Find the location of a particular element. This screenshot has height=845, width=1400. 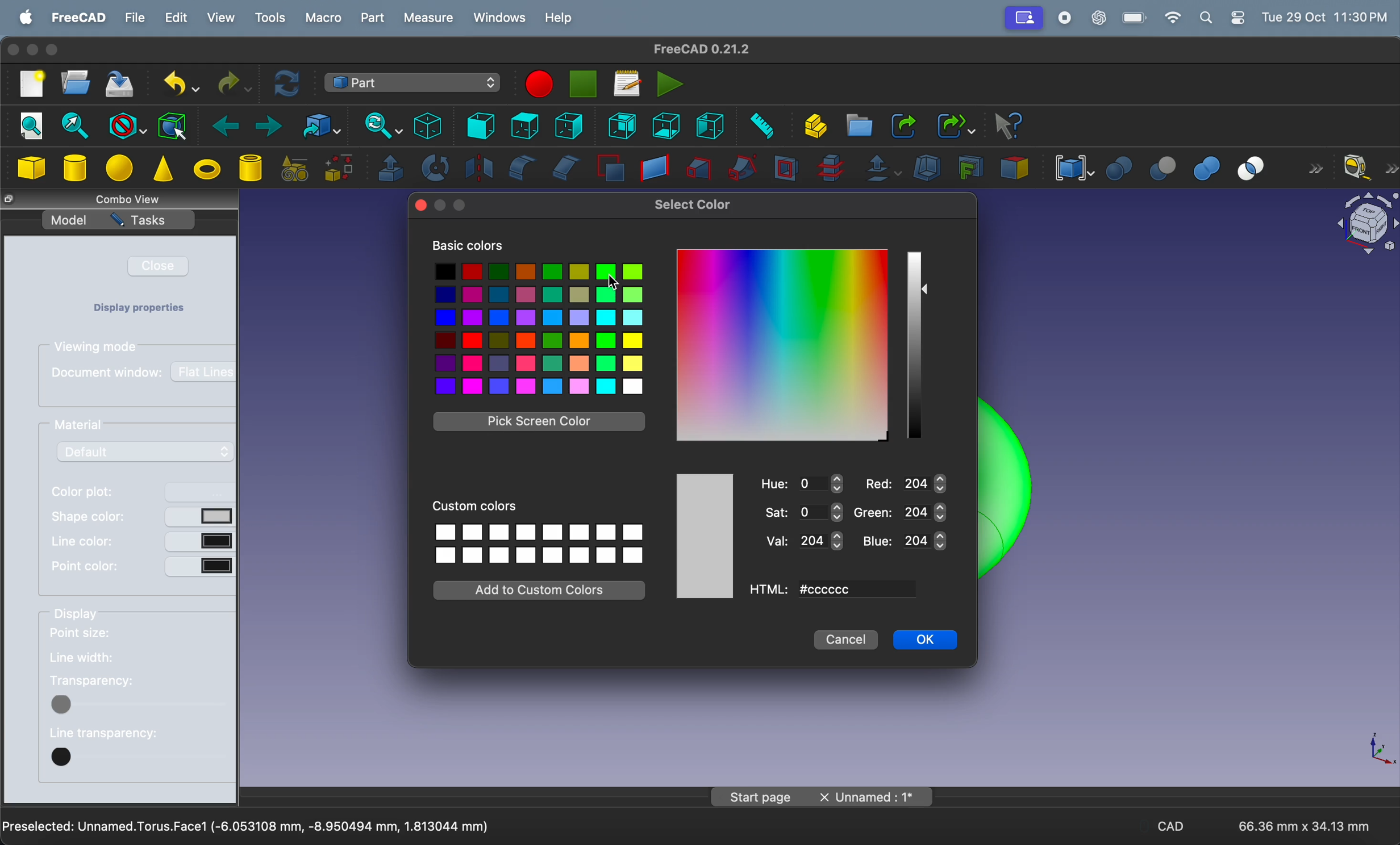

rear view is located at coordinates (622, 126).